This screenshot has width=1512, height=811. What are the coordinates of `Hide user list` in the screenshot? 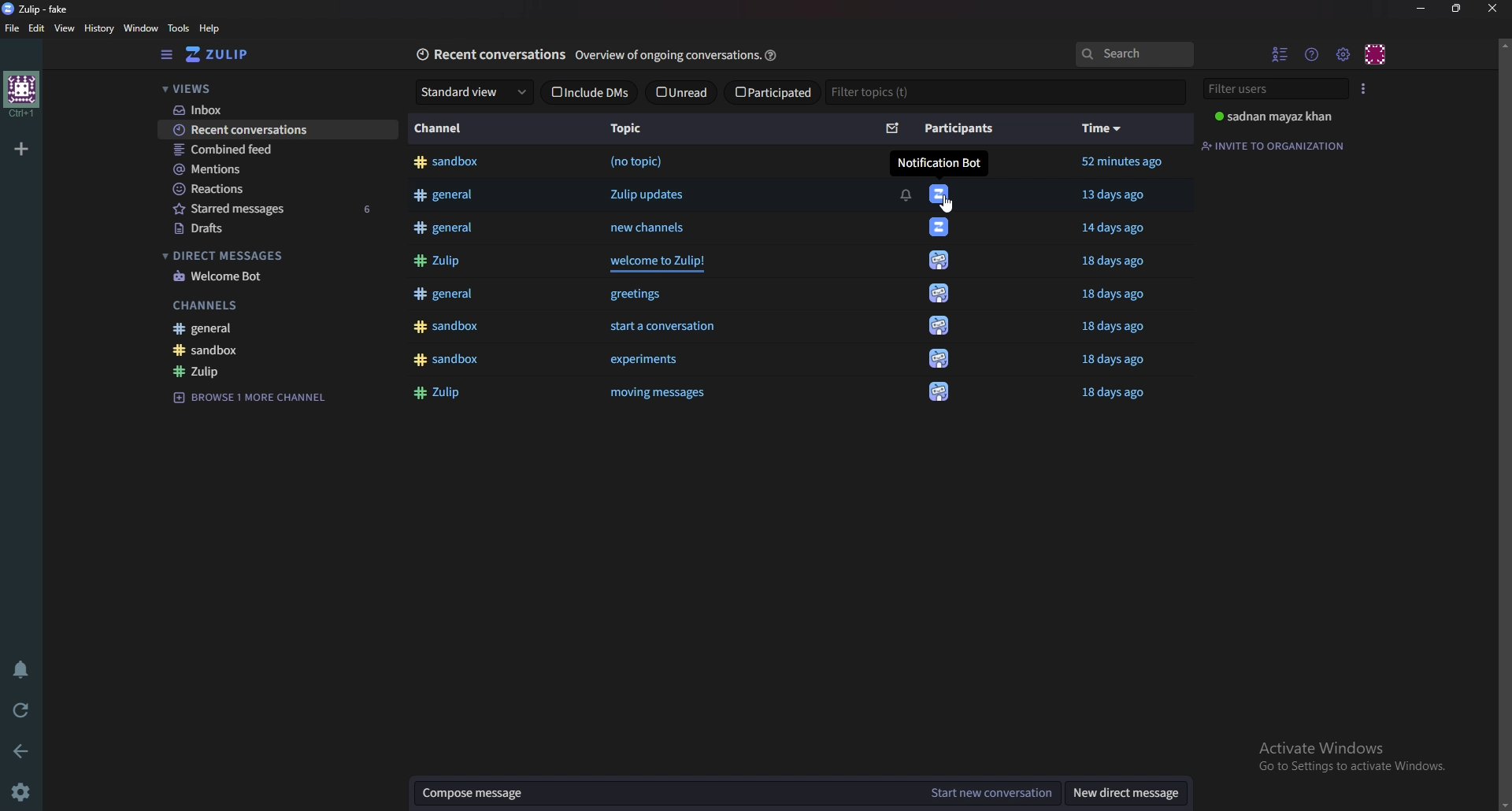 It's located at (1278, 55).